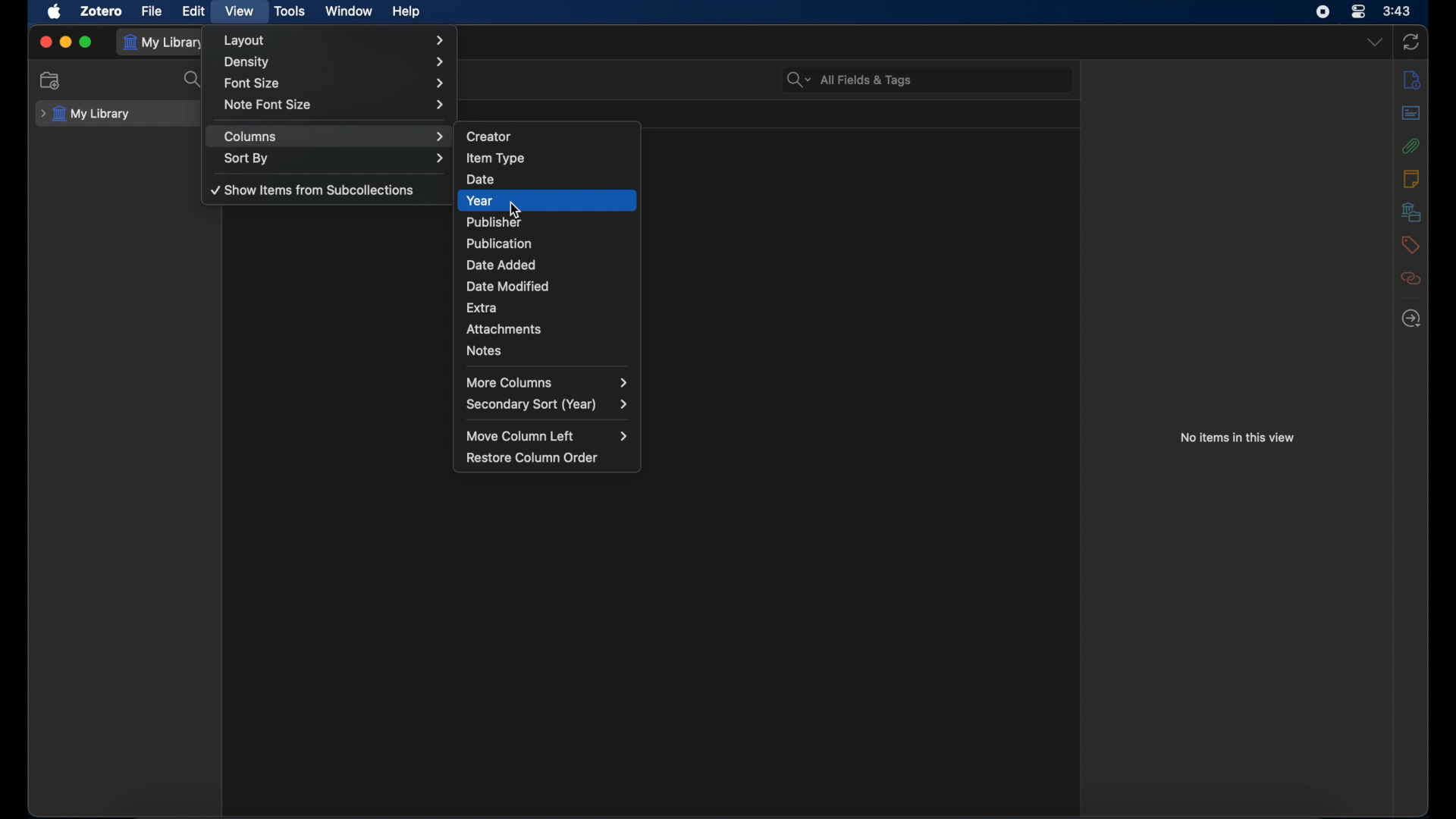 Image resolution: width=1456 pixels, height=819 pixels. I want to click on publication, so click(547, 243).